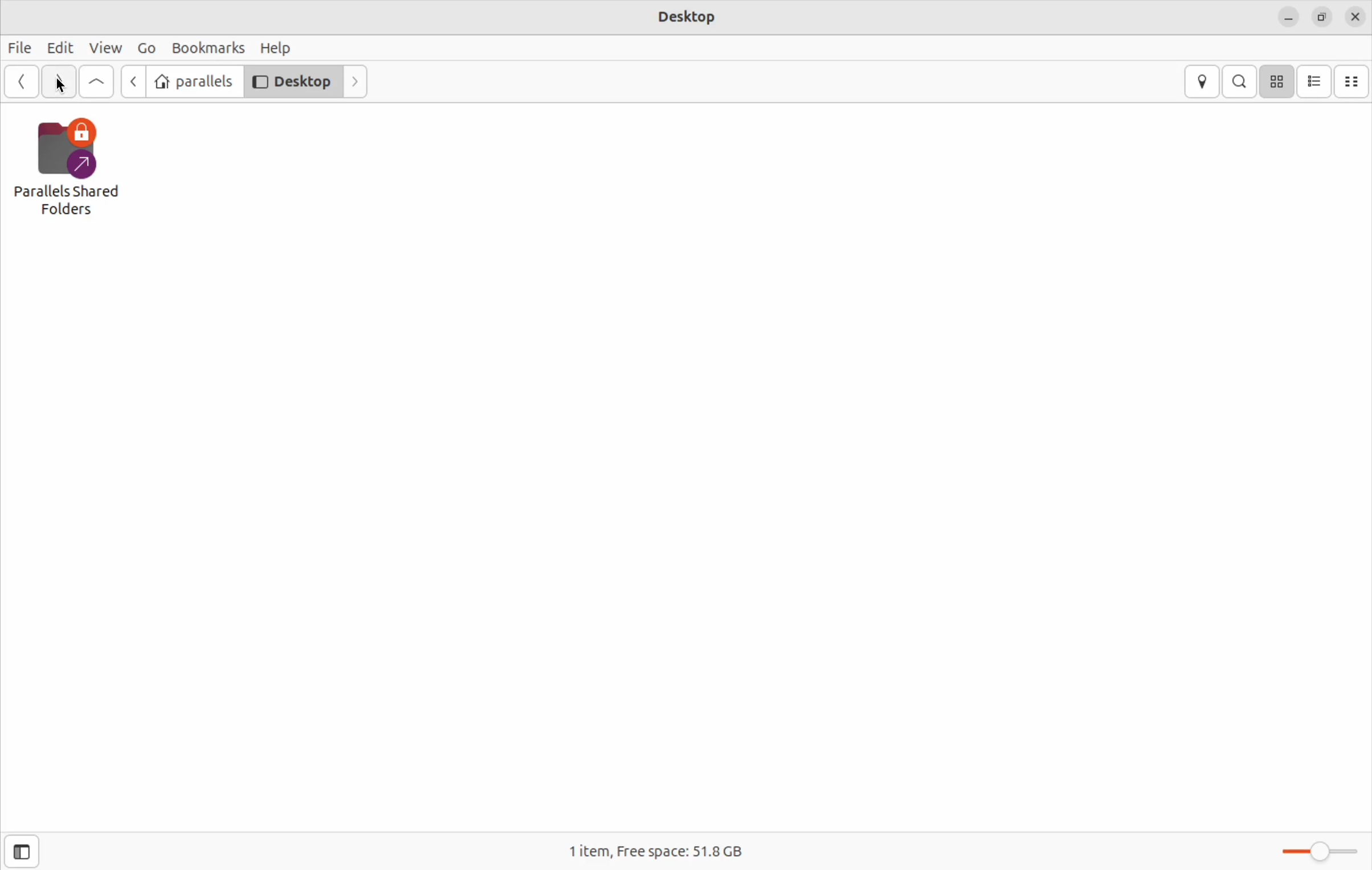 The width and height of the screenshot is (1372, 870). Describe the element at coordinates (357, 81) in the screenshot. I see `Go next` at that location.